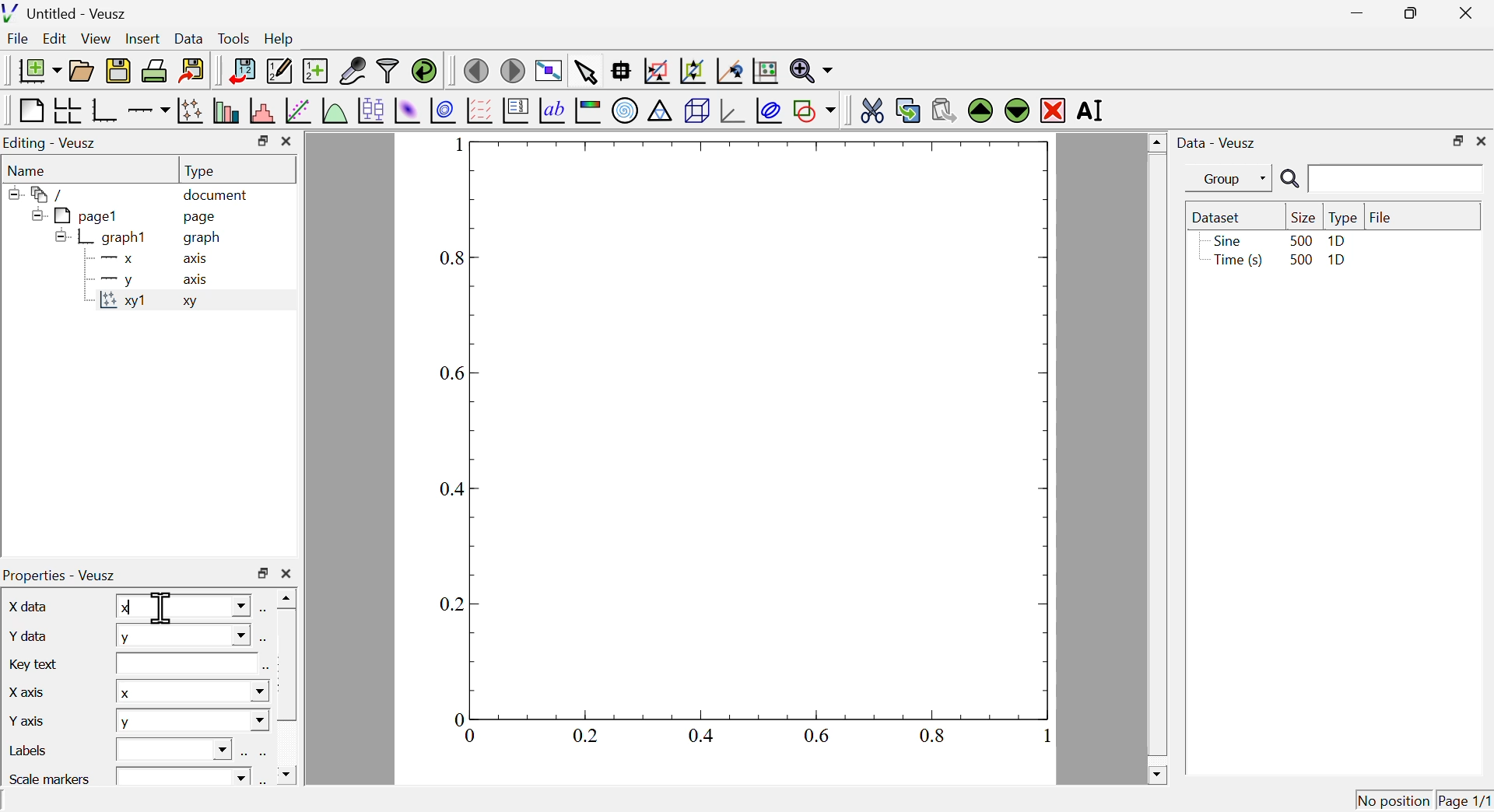 This screenshot has height=812, width=1494. Describe the element at coordinates (53, 143) in the screenshot. I see `Editing Veusz` at that location.